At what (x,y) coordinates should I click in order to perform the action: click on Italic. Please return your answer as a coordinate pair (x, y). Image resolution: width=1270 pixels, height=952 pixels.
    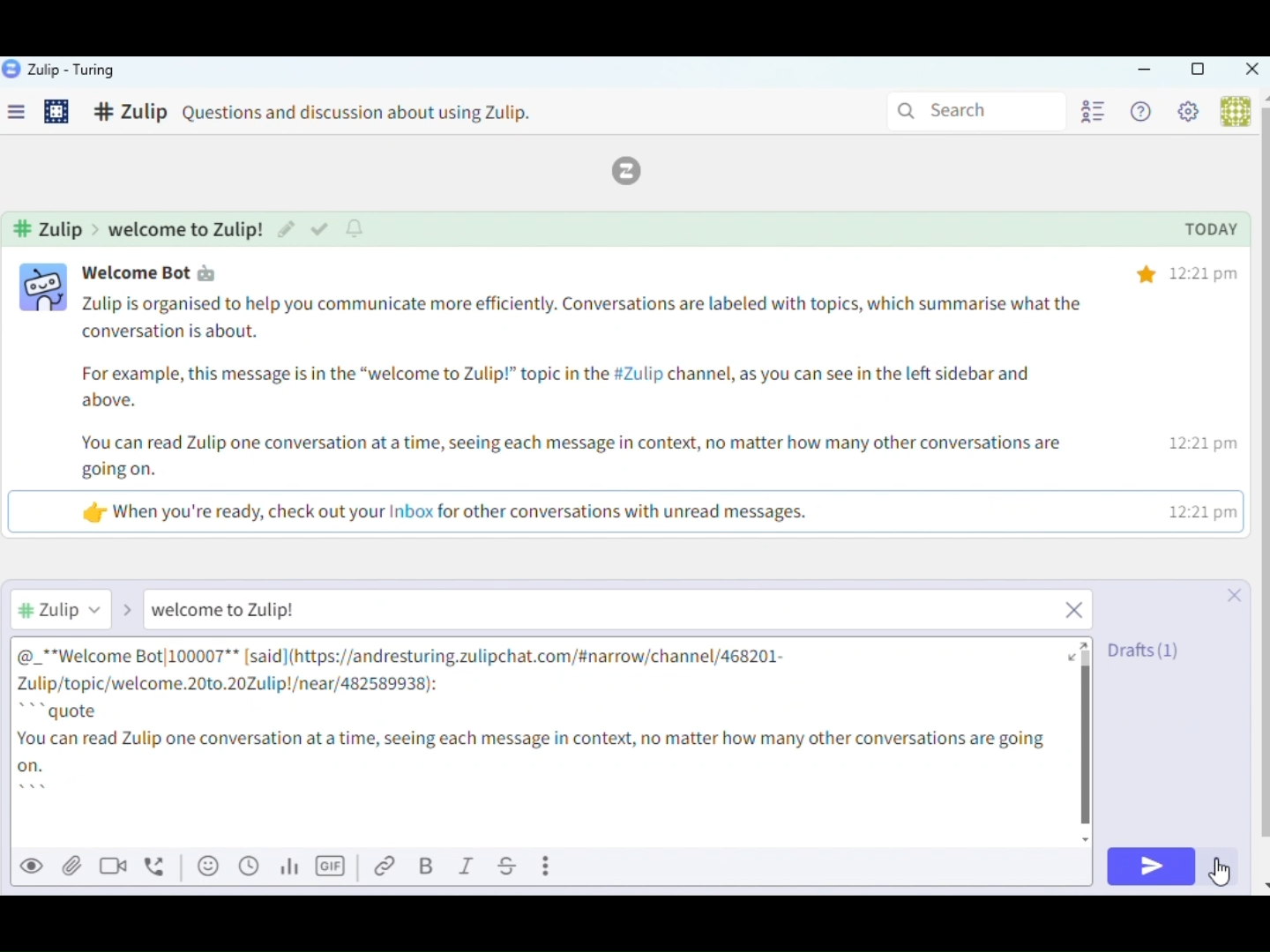
    Looking at the image, I should click on (467, 867).